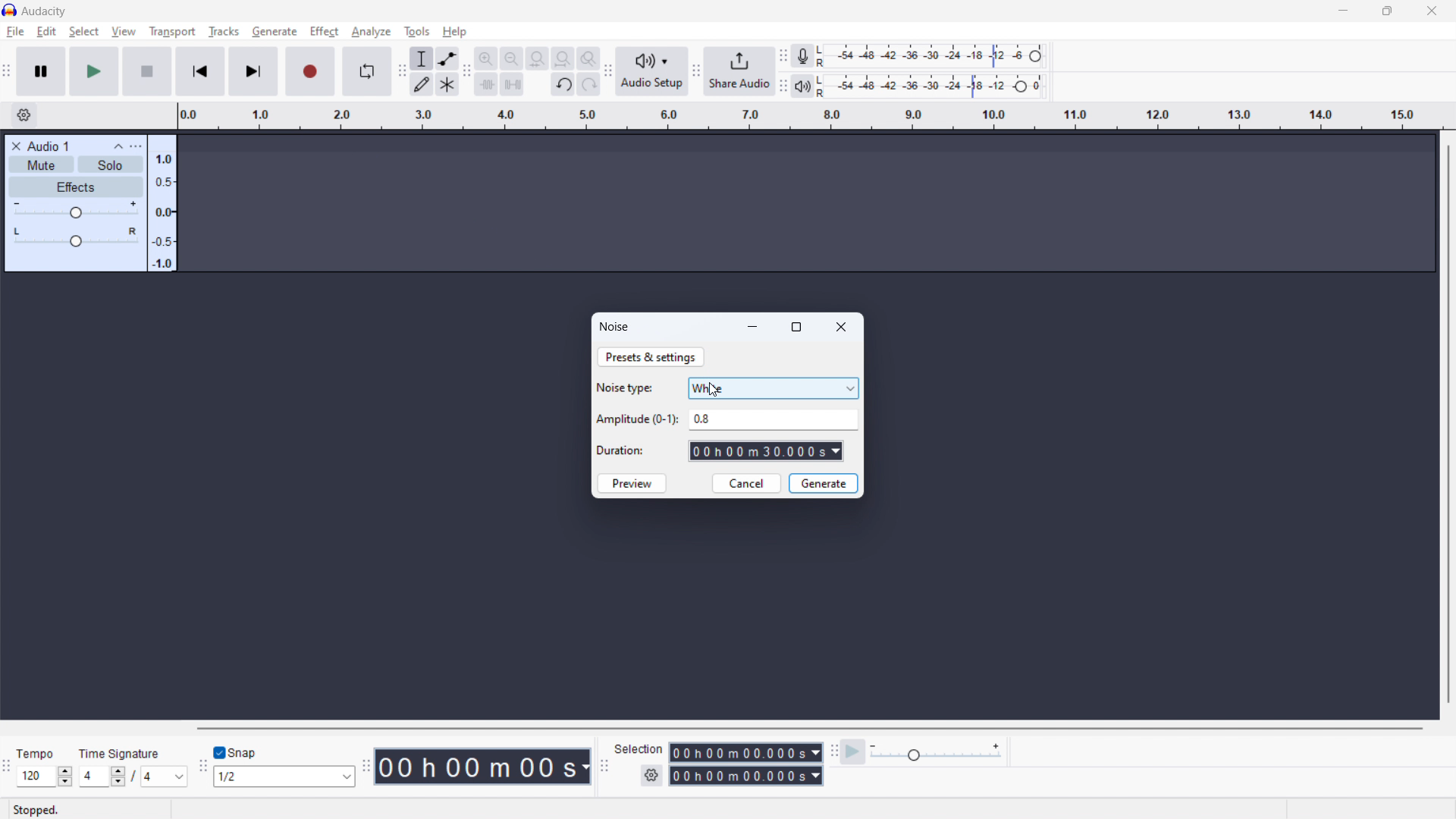 The width and height of the screenshot is (1456, 819). What do you see at coordinates (696, 71) in the screenshot?
I see `share audio toolbar` at bounding box center [696, 71].